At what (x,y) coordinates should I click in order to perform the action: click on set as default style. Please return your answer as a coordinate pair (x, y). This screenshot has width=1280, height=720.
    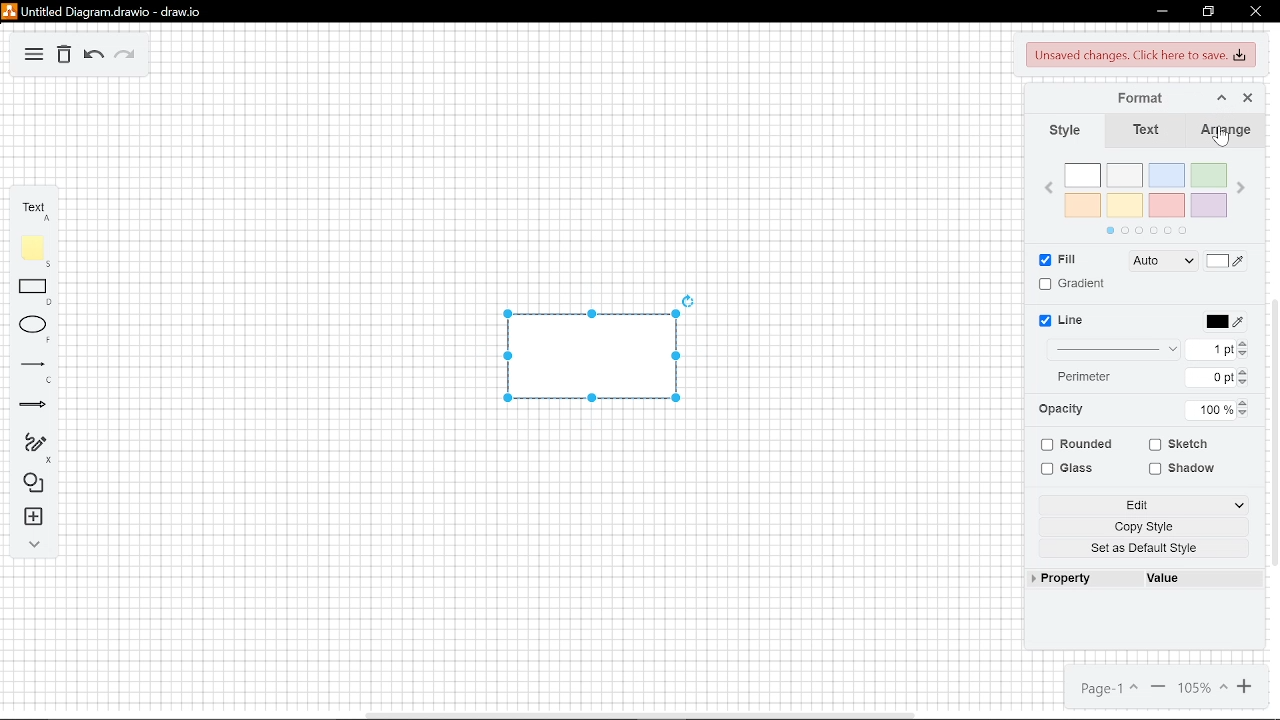
    Looking at the image, I should click on (1146, 549).